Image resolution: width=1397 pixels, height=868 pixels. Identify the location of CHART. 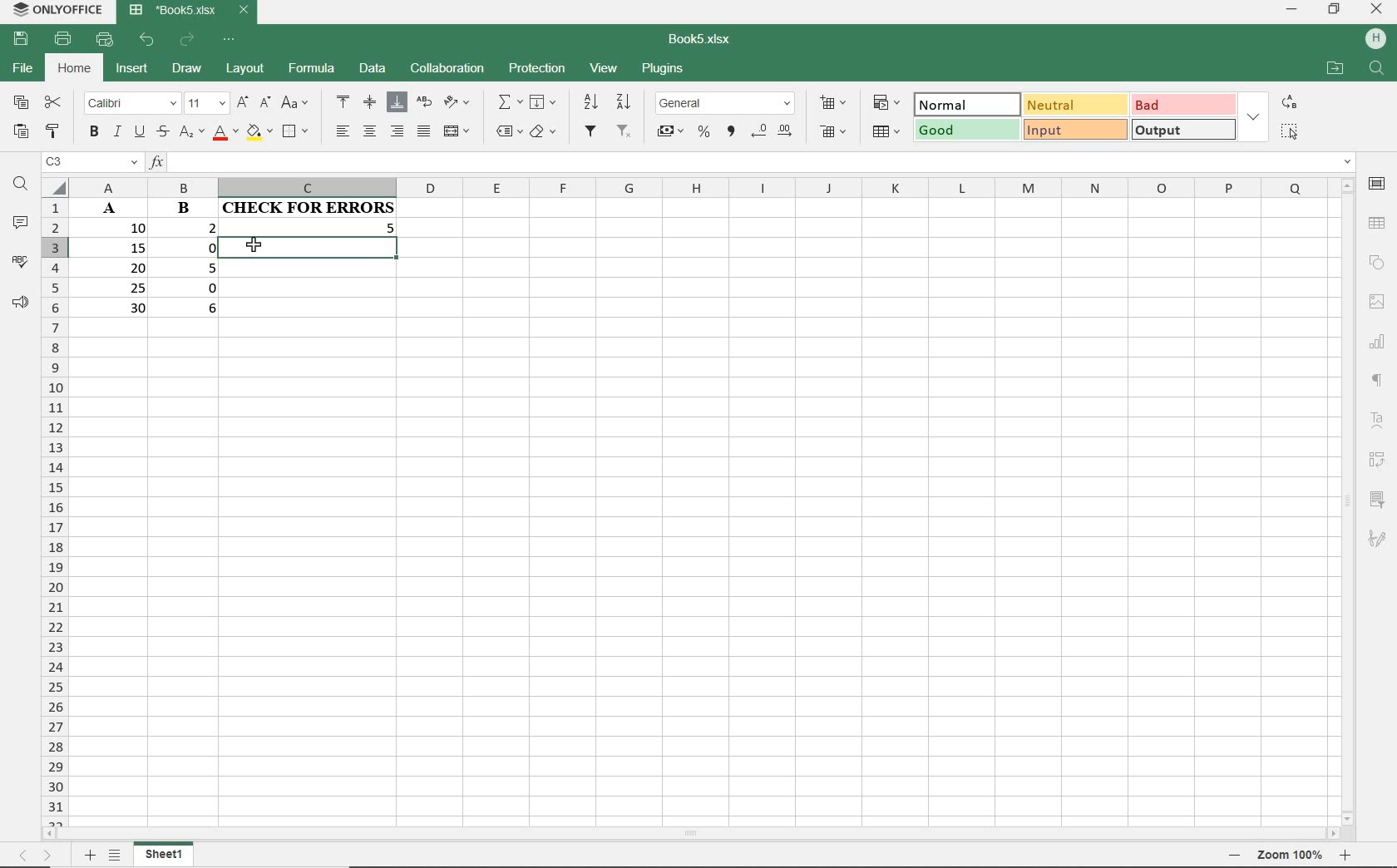
(1380, 343).